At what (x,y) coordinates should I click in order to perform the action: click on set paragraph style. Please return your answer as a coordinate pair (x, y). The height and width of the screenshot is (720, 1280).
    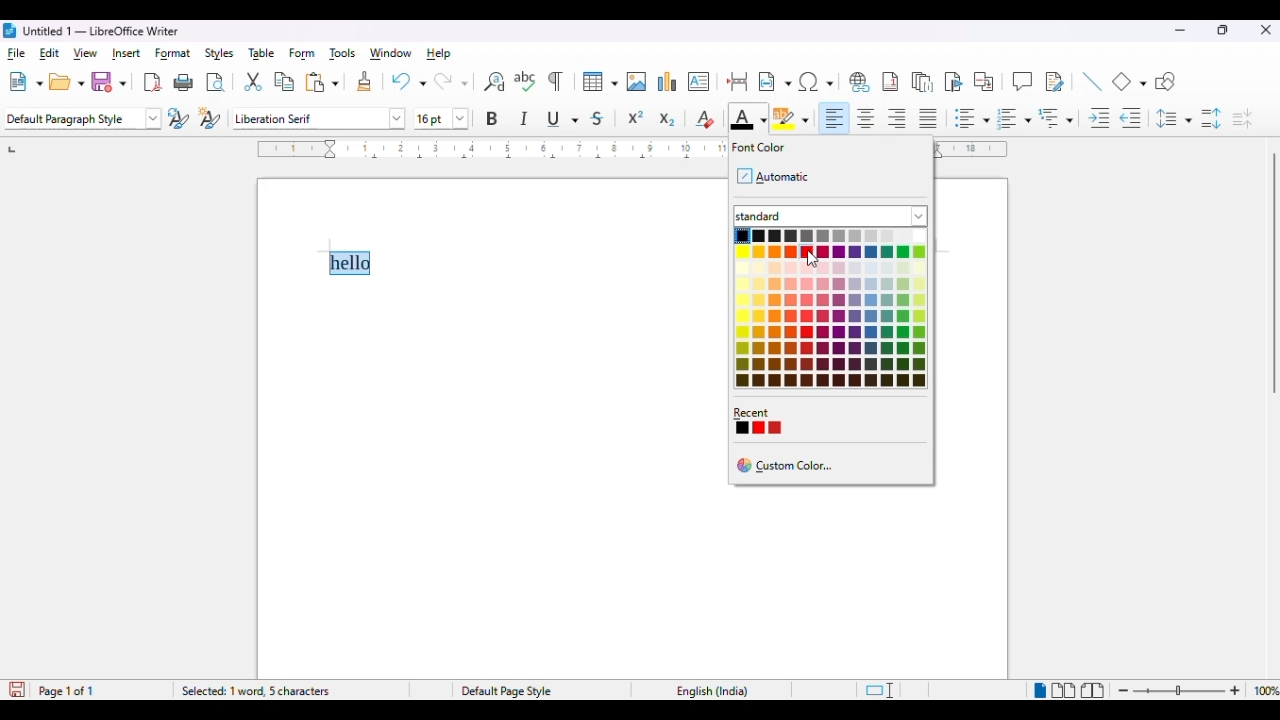
    Looking at the image, I should click on (83, 119).